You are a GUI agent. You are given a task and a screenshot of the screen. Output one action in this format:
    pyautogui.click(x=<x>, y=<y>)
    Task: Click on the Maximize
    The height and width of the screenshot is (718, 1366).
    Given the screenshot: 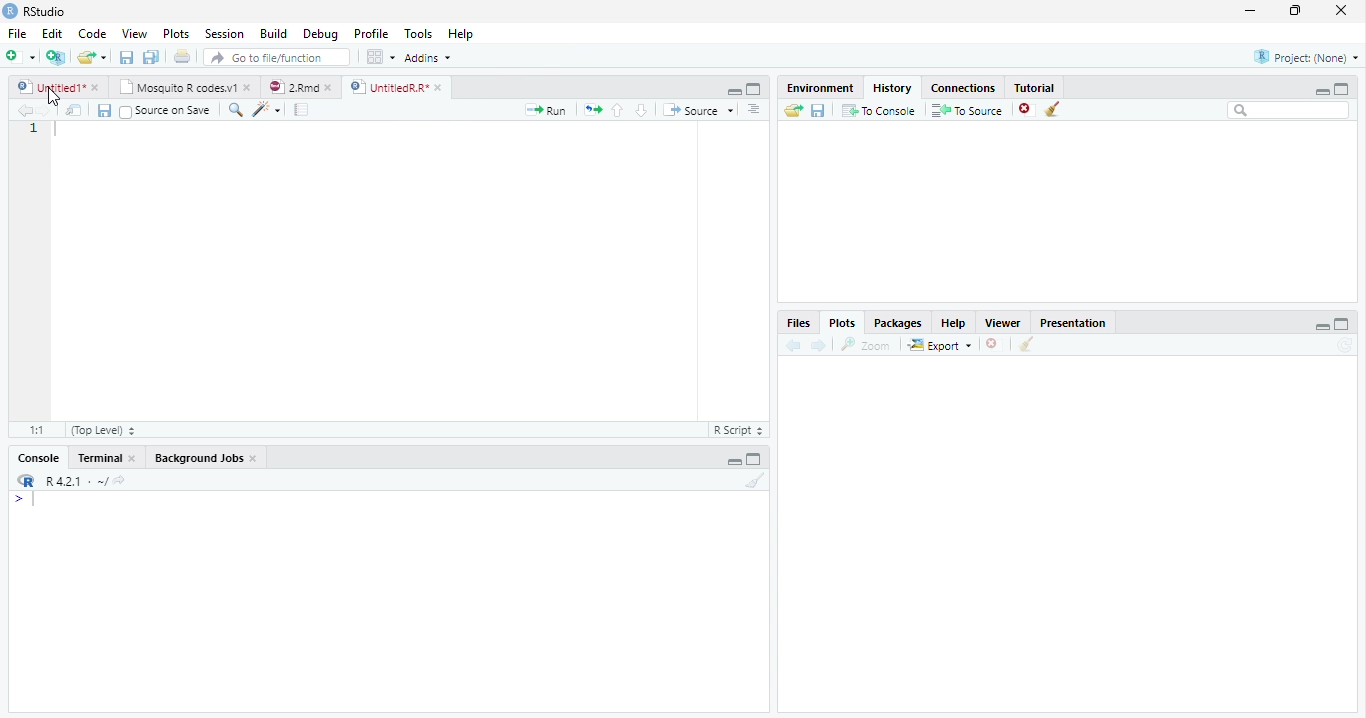 What is the action you would take?
    pyautogui.click(x=755, y=90)
    